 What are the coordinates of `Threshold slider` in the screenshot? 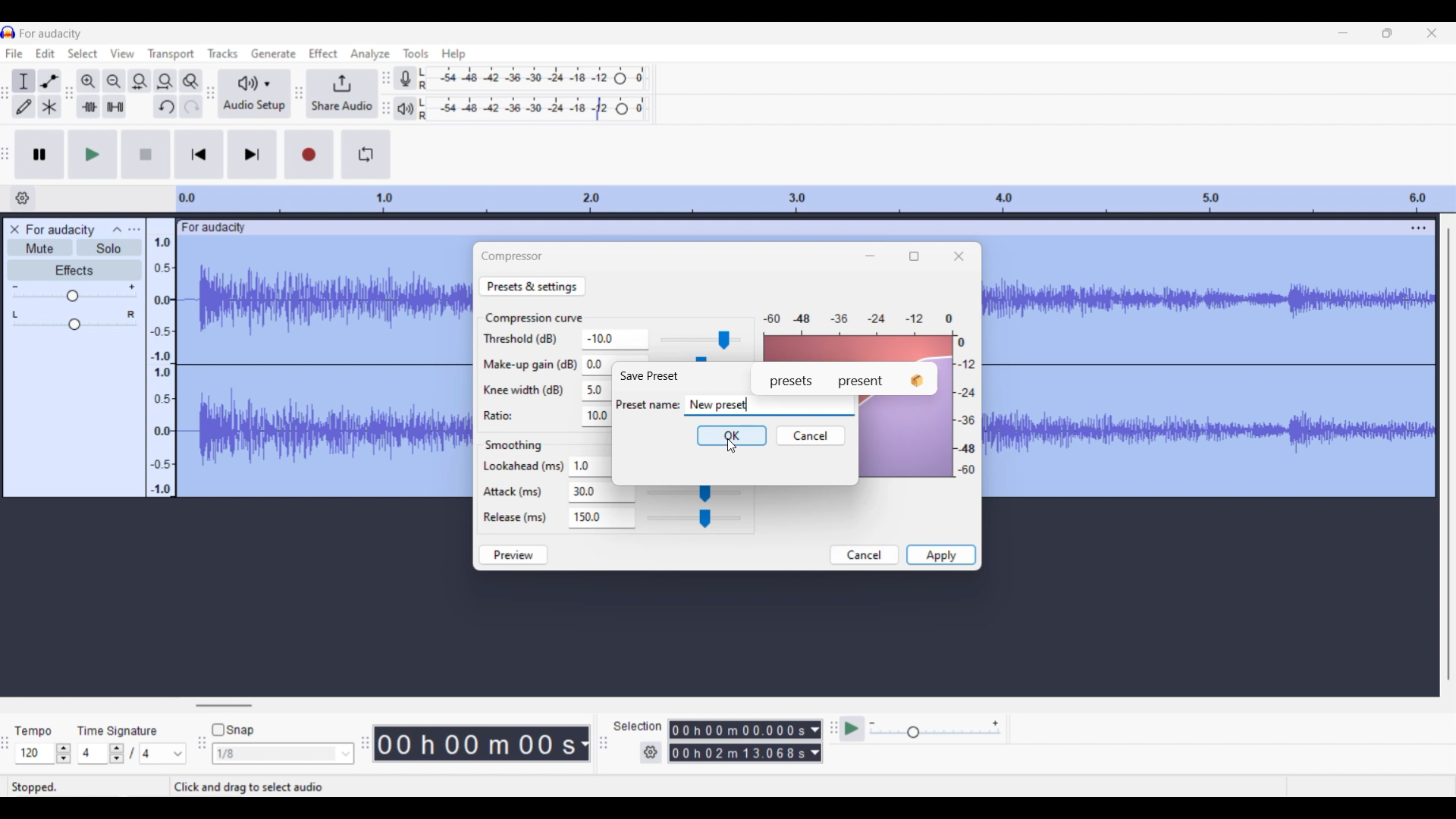 It's located at (698, 340).